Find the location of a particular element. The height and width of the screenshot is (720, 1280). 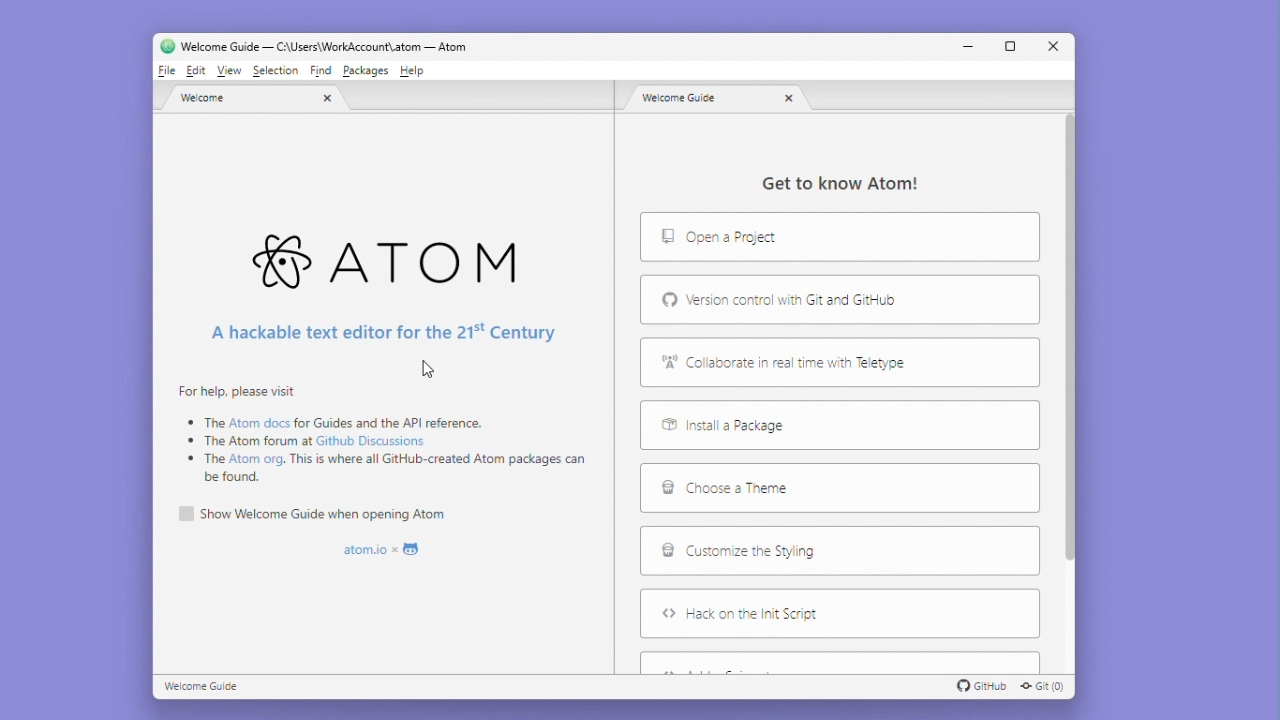

Choose a theme is located at coordinates (756, 490).